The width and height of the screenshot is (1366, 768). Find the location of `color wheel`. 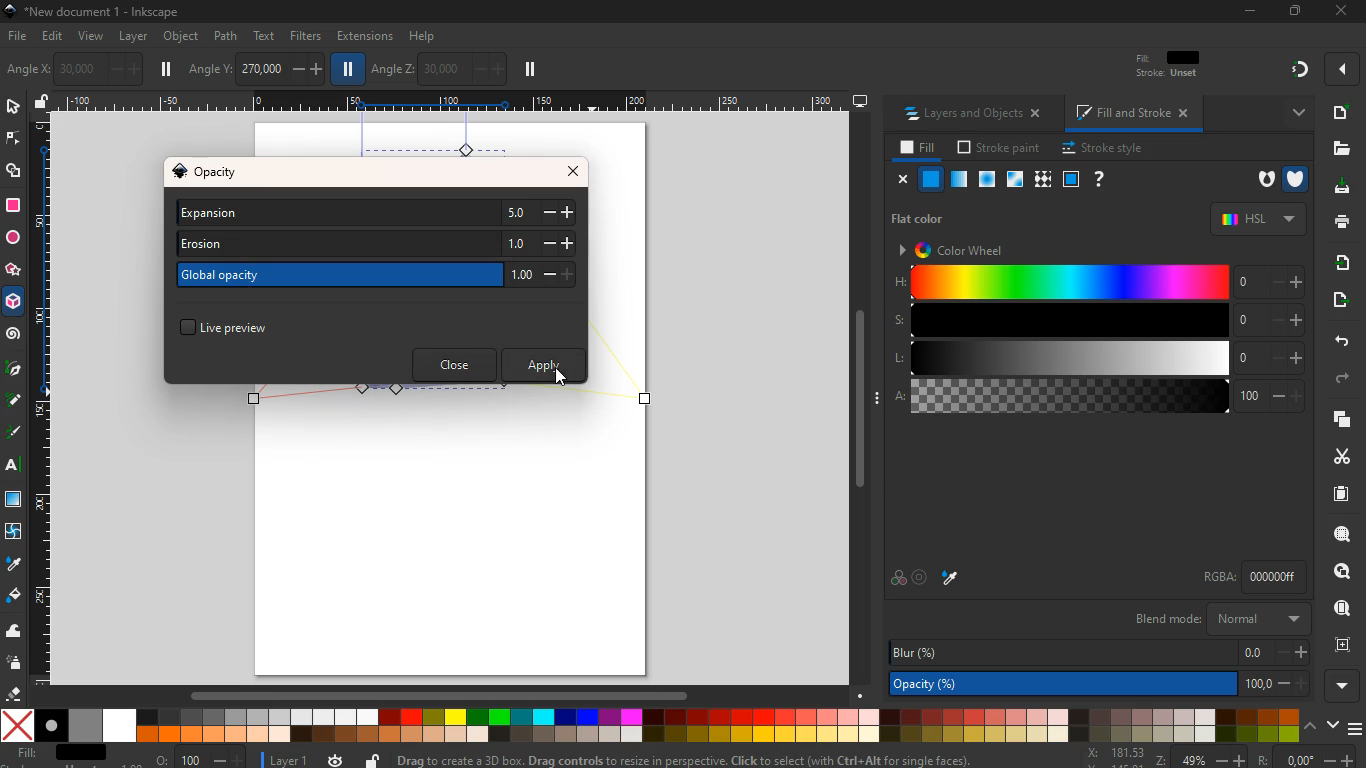

color wheel is located at coordinates (960, 249).